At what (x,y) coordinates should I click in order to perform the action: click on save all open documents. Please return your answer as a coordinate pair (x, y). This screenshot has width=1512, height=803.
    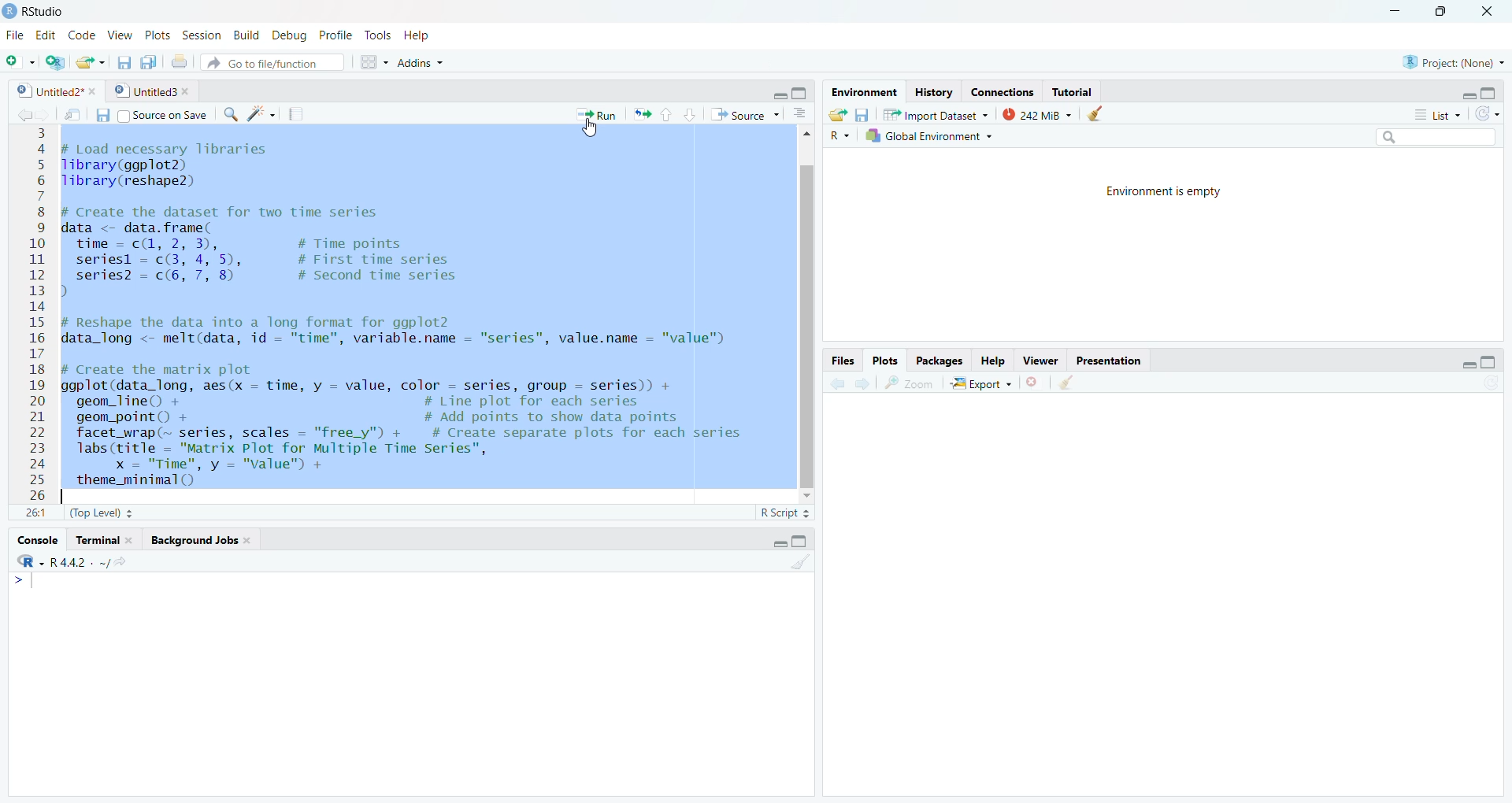
    Looking at the image, I should click on (148, 61).